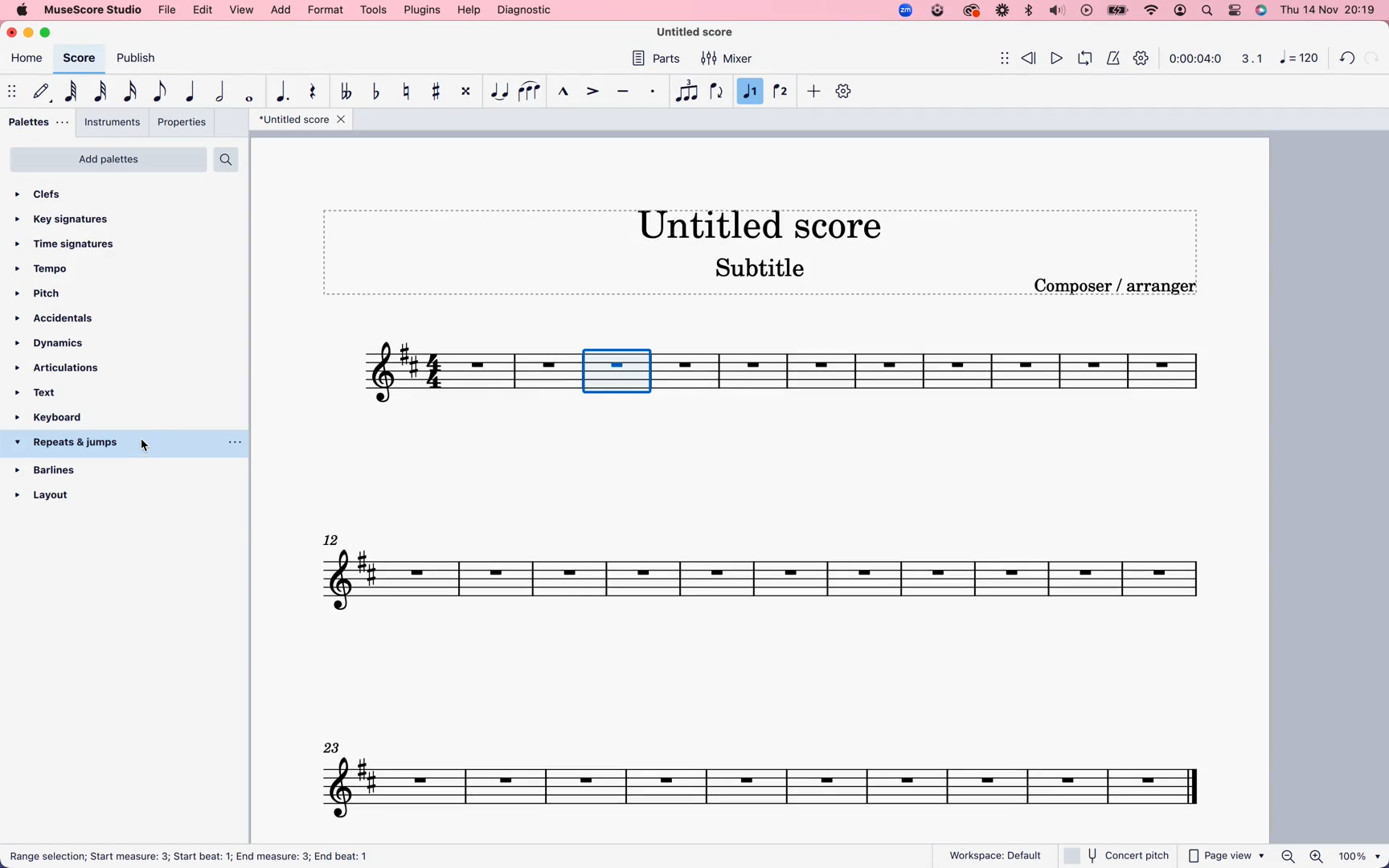 The width and height of the screenshot is (1389, 868). I want to click on zoom, so click(1331, 857).